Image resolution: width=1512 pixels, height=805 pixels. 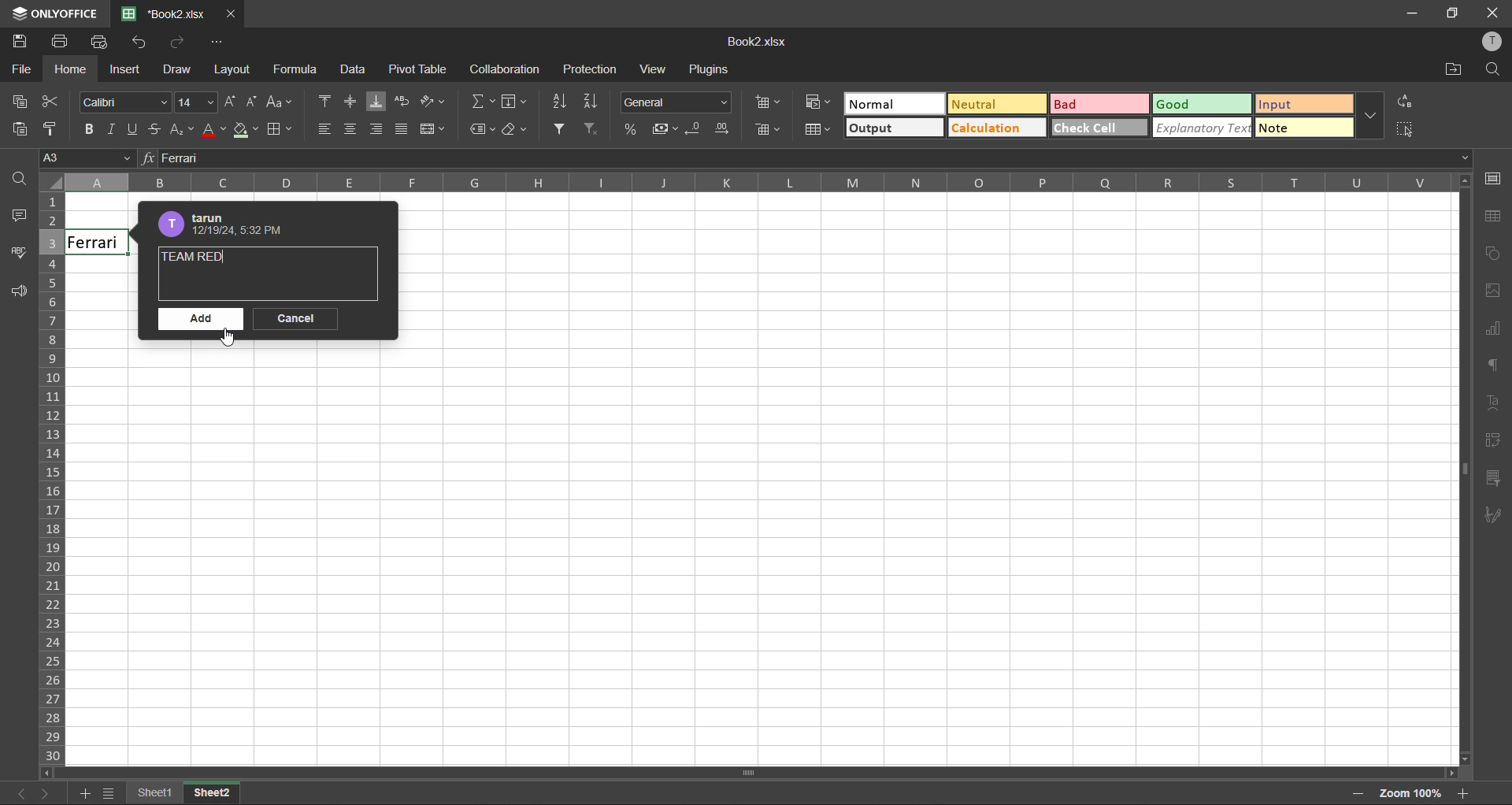 What do you see at coordinates (254, 102) in the screenshot?
I see `decrement size` at bounding box center [254, 102].